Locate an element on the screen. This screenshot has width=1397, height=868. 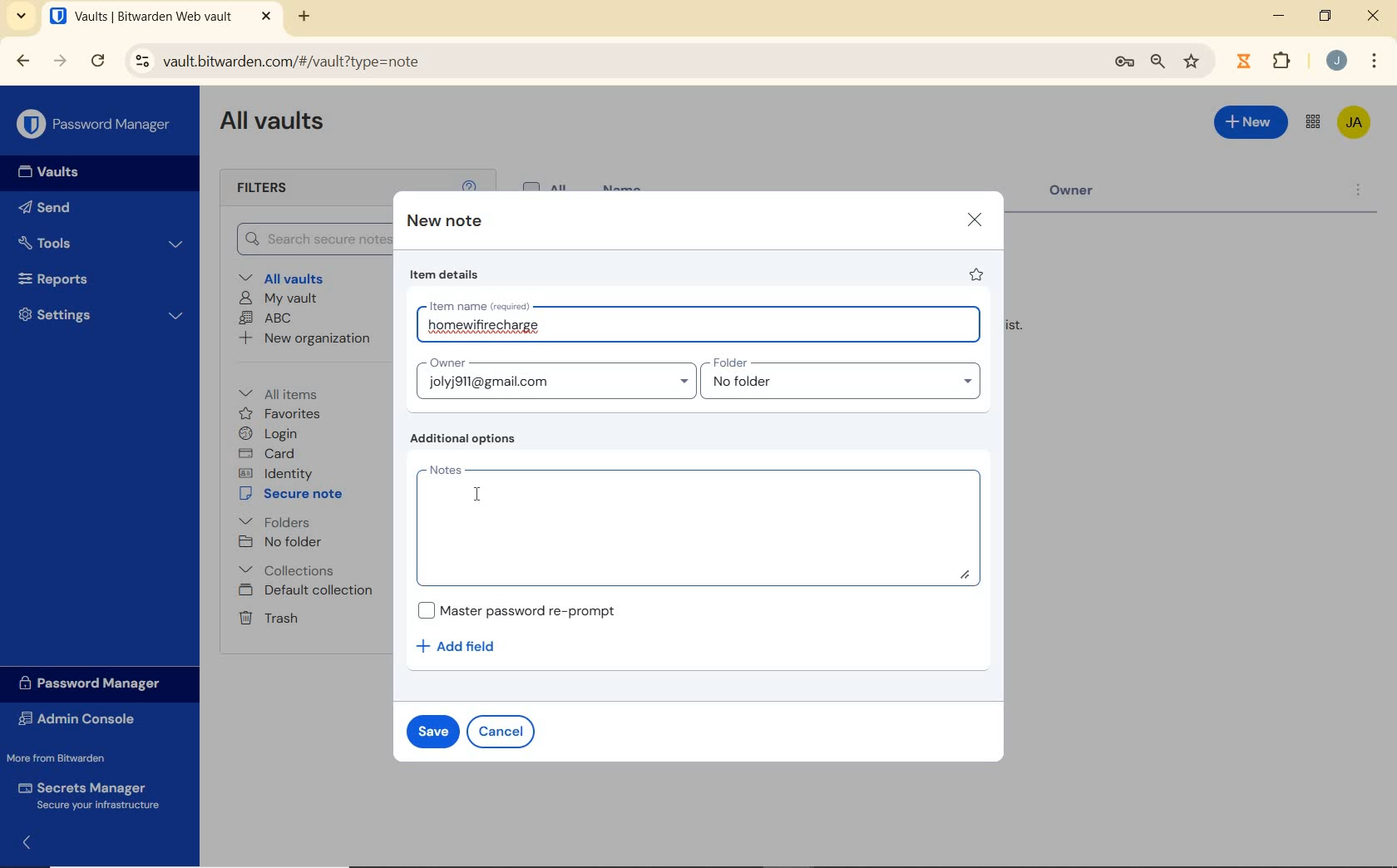
favorites is located at coordinates (280, 414).